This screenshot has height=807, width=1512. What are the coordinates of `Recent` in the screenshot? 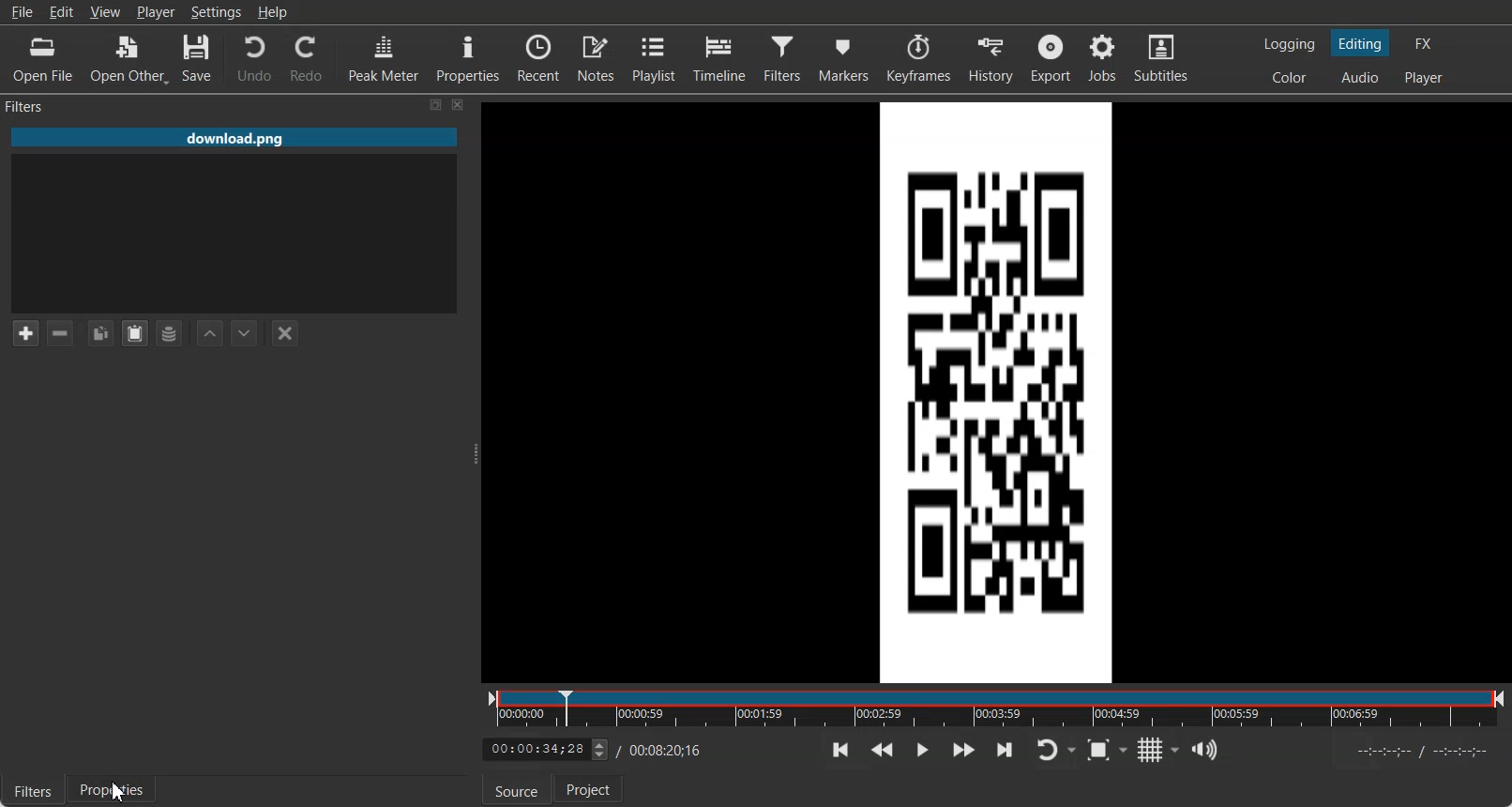 It's located at (538, 57).